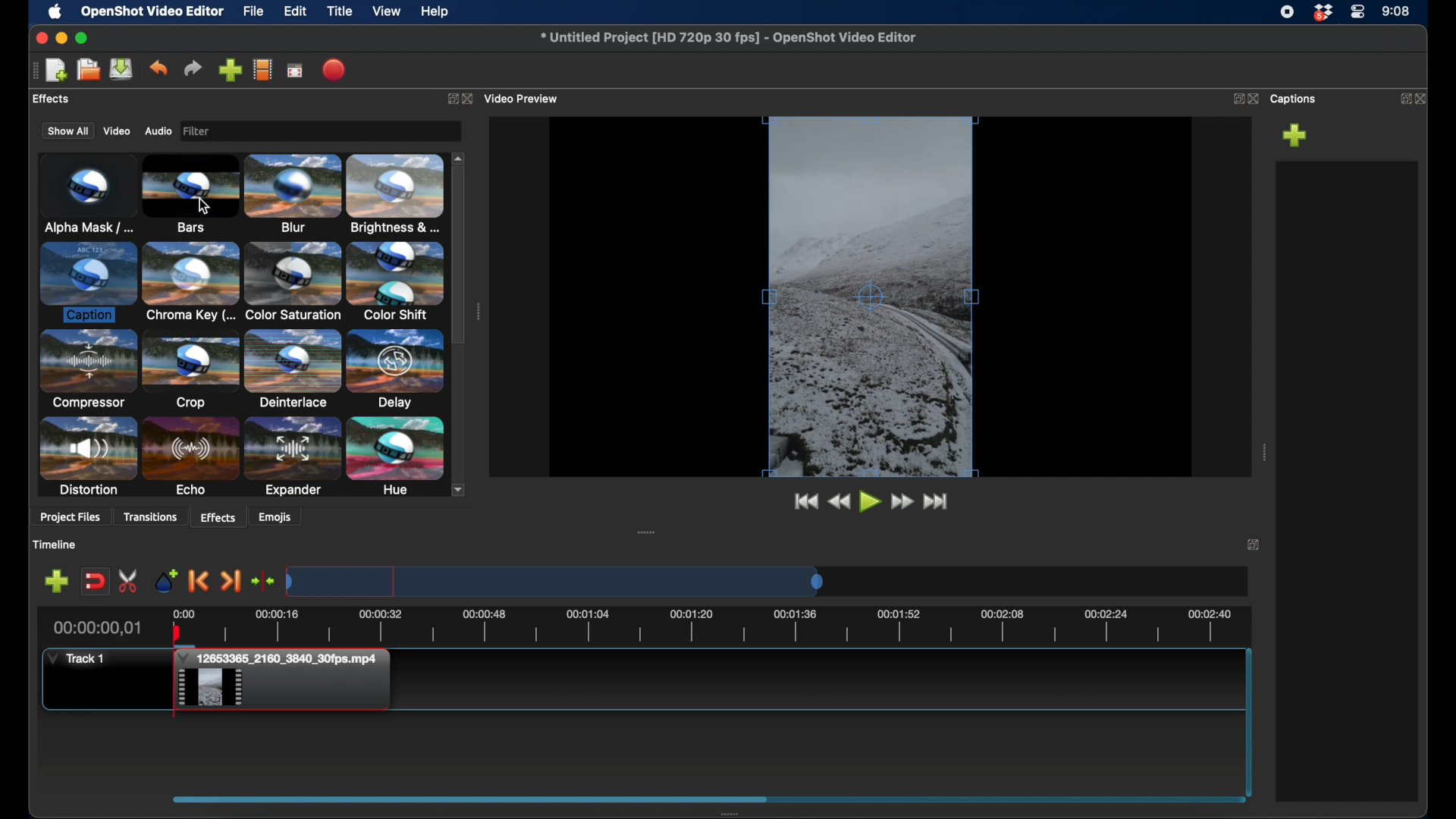 This screenshot has height=819, width=1456. I want to click on clip, so click(287, 682).